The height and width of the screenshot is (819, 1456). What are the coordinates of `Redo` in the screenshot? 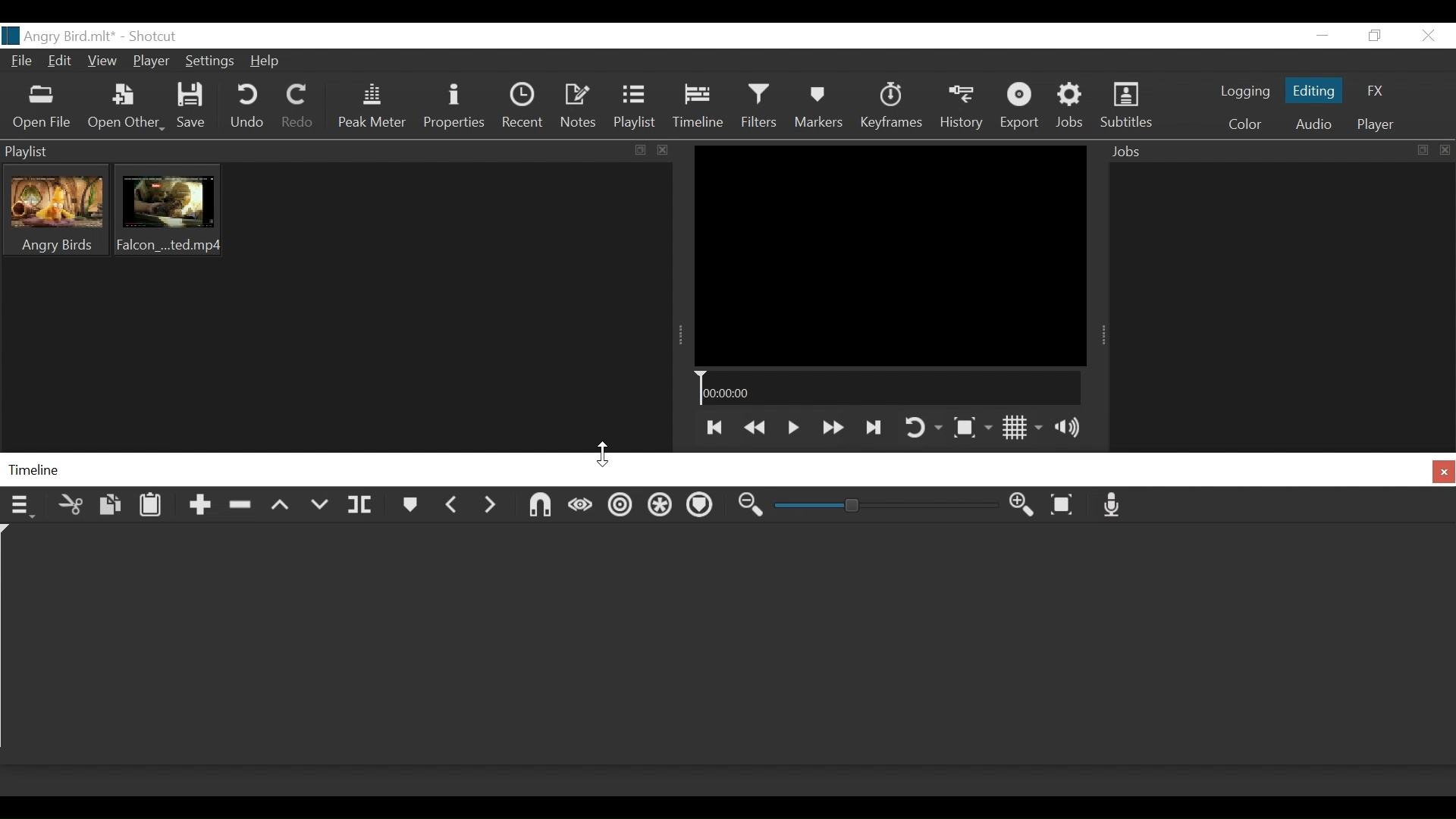 It's located at (299, 107).